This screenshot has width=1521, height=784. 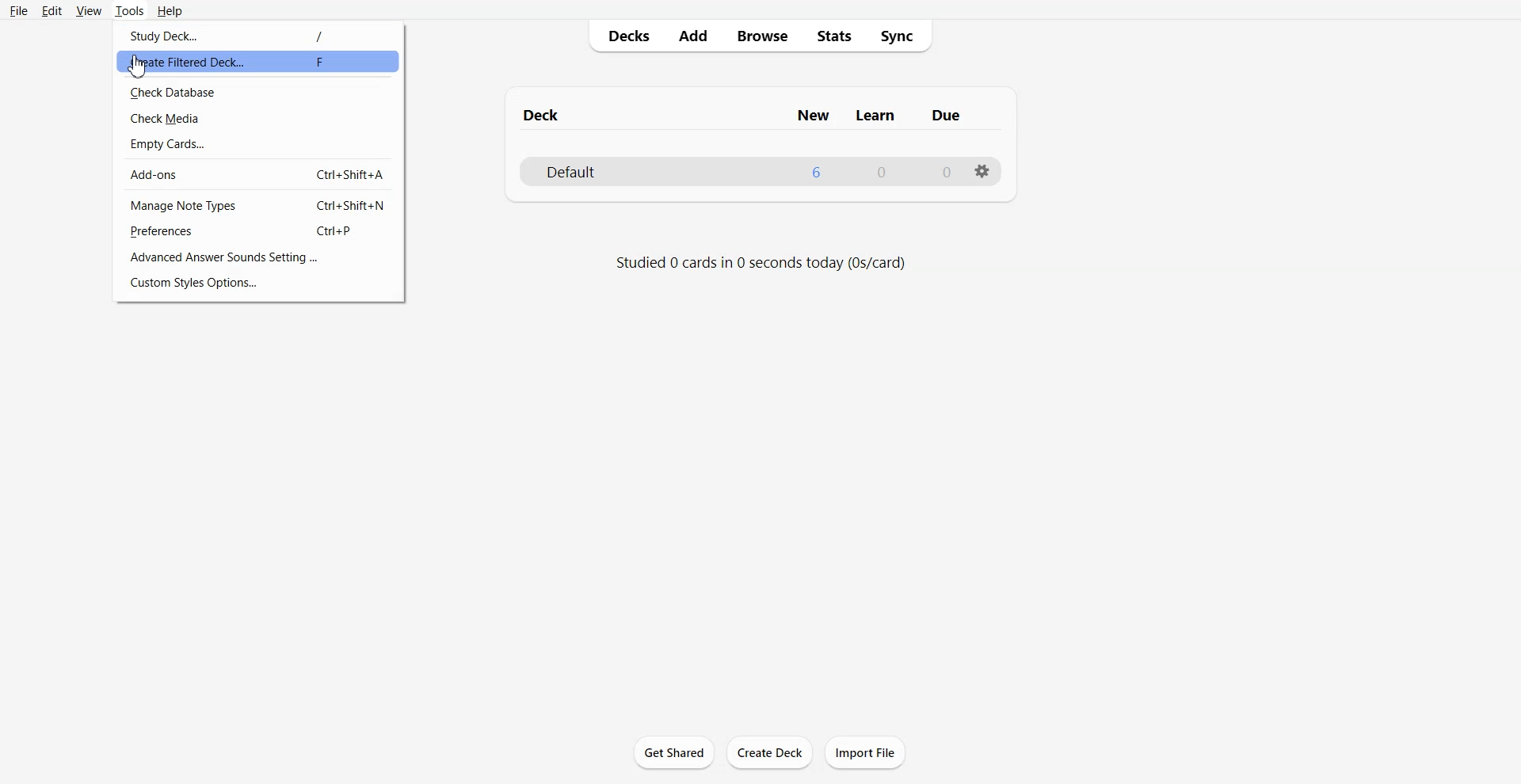 I want to click on Deck File, so click(x=760, y=170).